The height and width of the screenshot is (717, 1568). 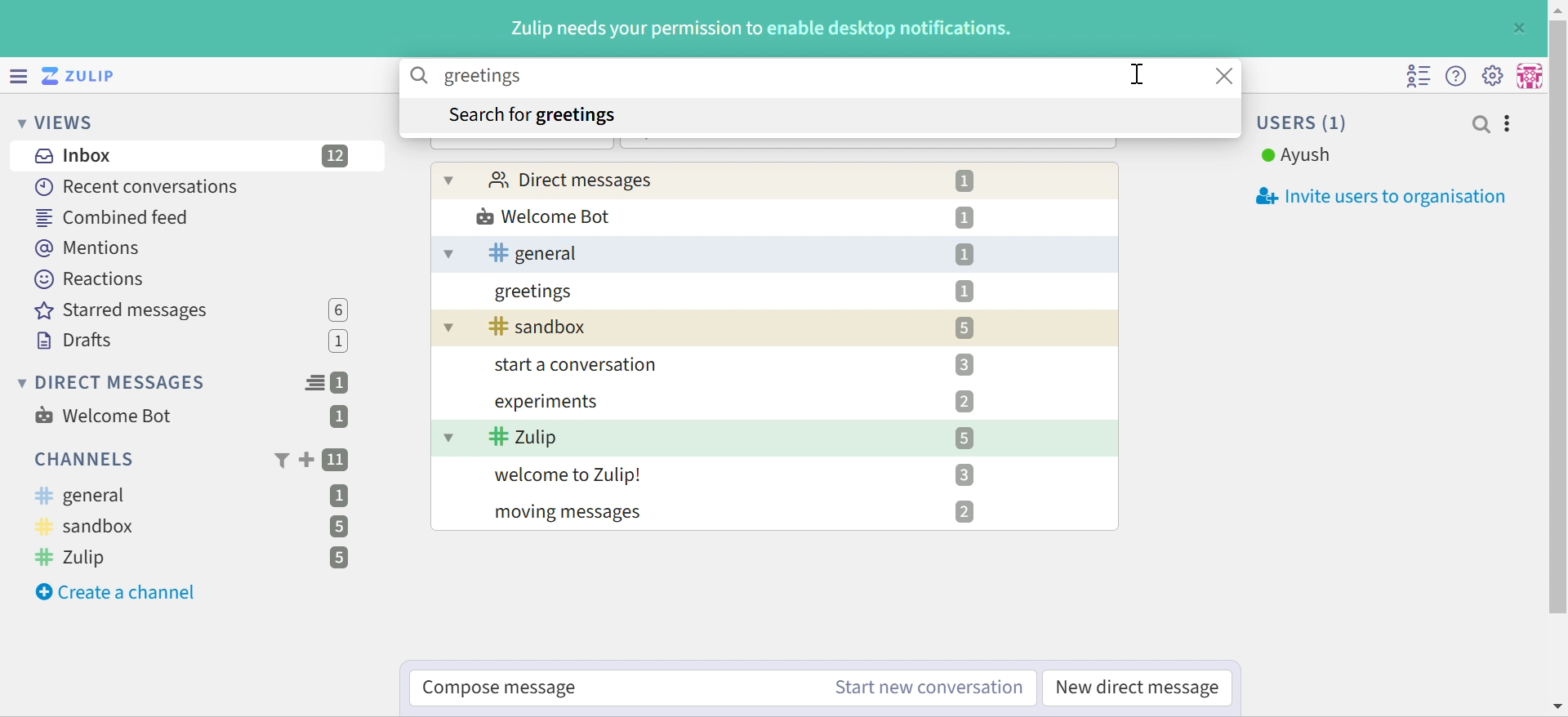 What do you see at coordinates (92, 528) in the screenshot?
I see `sandbox` at bounding box center [92, 528].